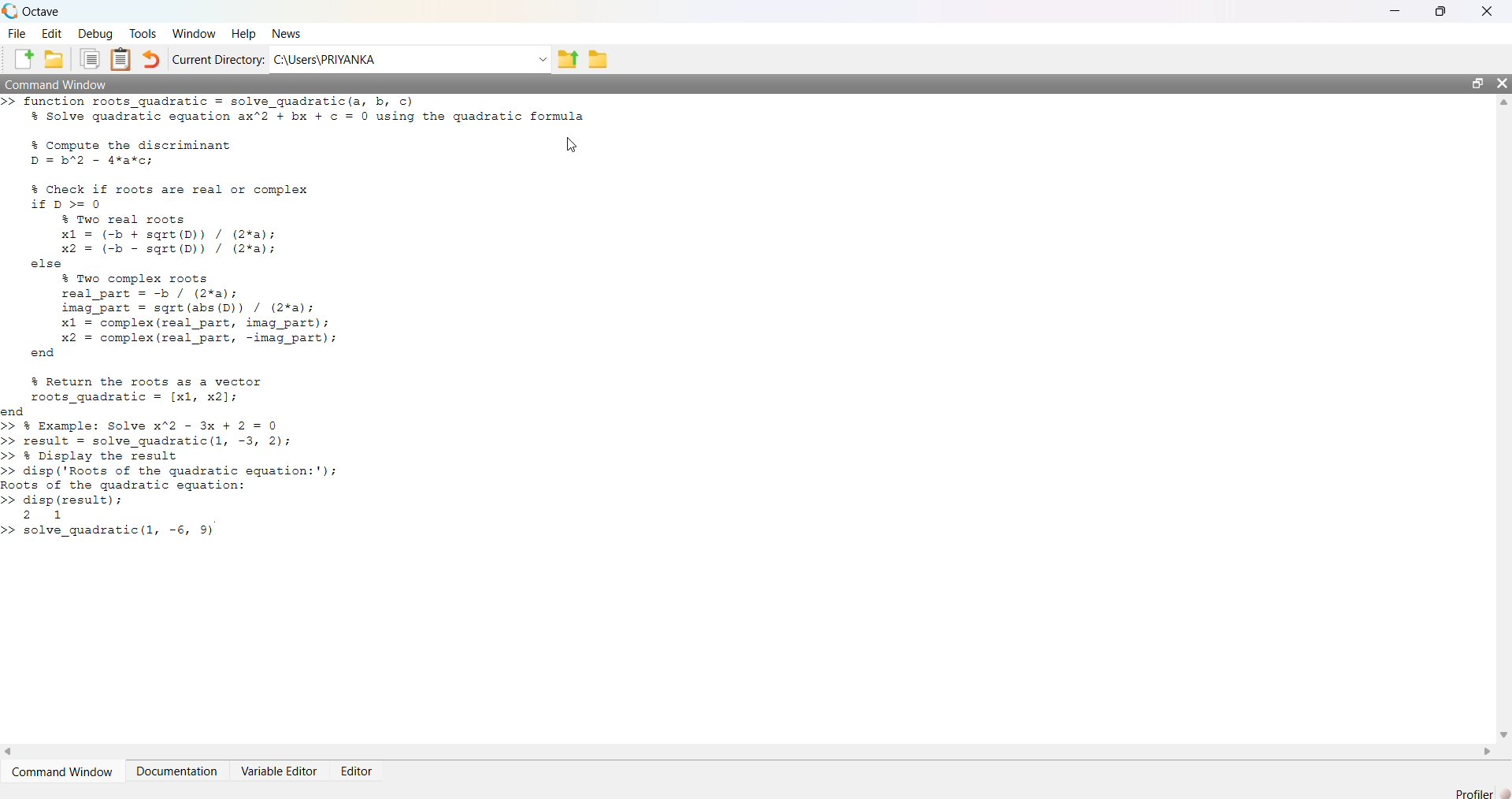 This screenshot has height=799, width=1512. I want to click on Maximize / Restore, so click(1480, 84).